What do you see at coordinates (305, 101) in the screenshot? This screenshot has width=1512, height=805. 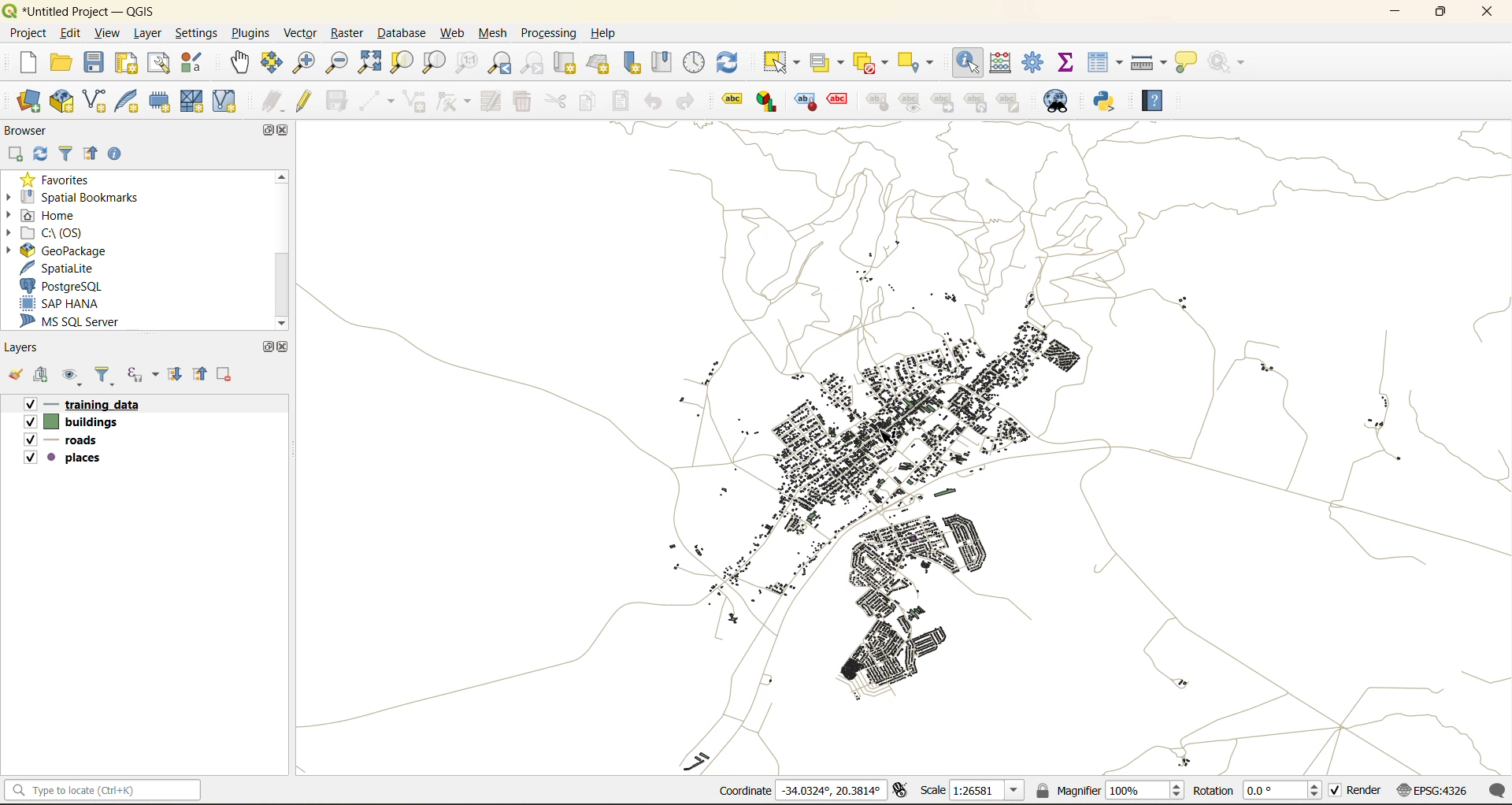 I see `toggle edits` at bounding box center [305, 101].